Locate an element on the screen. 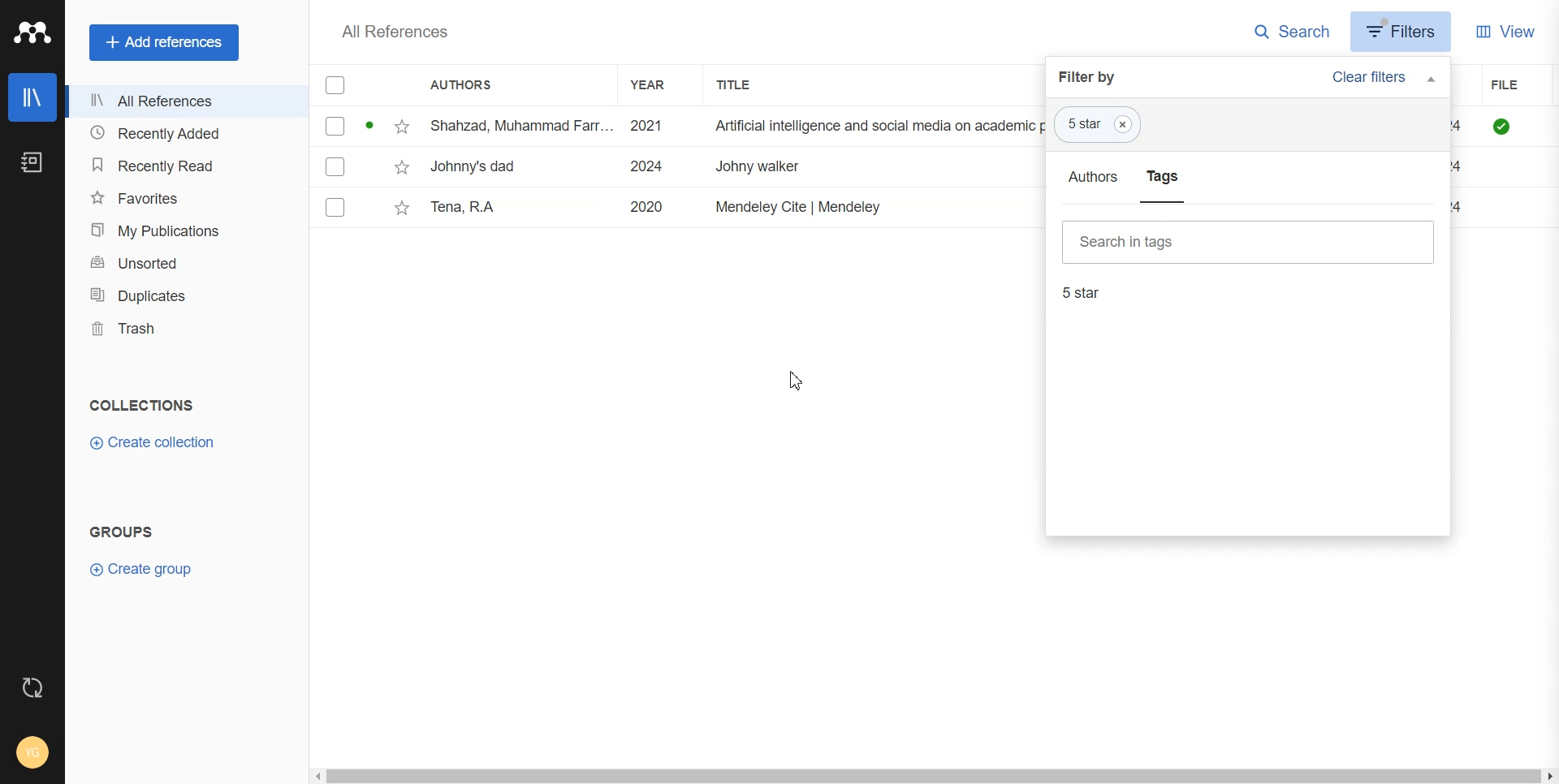 The width and height of the screenshot is (1559, 784). Cursor is located at coordinates (792, 381).